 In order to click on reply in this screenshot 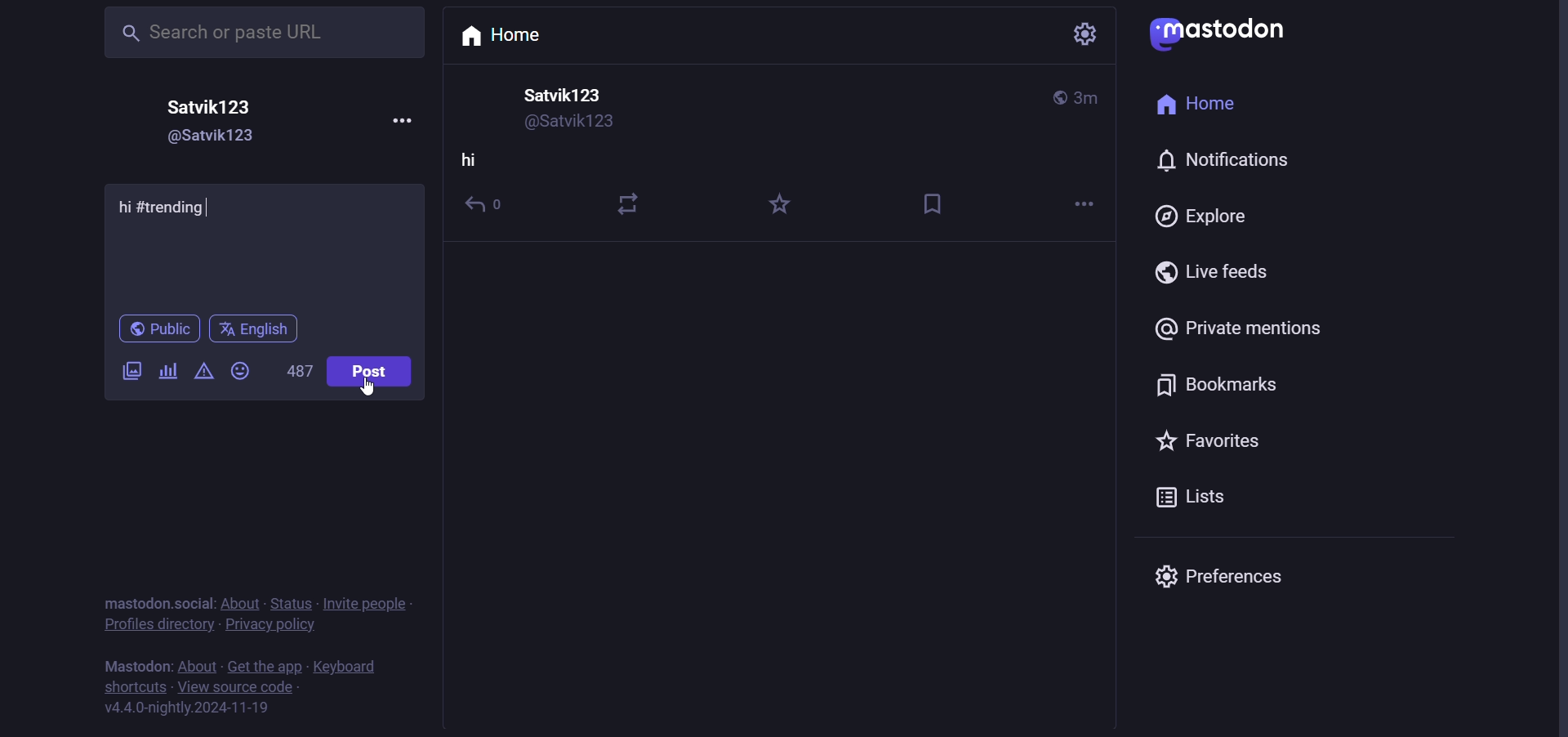, I will do `click(489, 209)`.